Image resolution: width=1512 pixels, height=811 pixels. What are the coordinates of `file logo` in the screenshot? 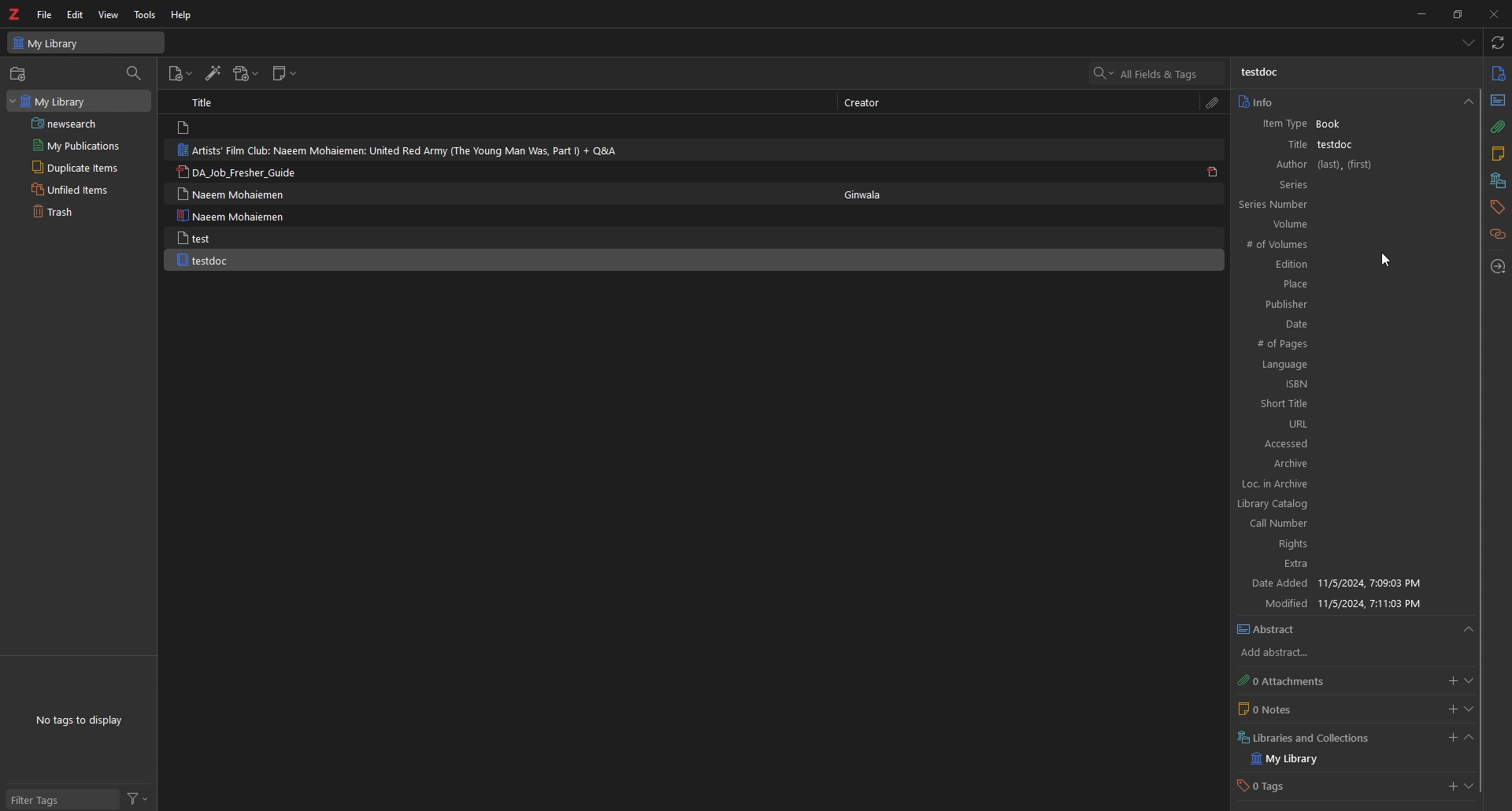 It's located at (186, 128).